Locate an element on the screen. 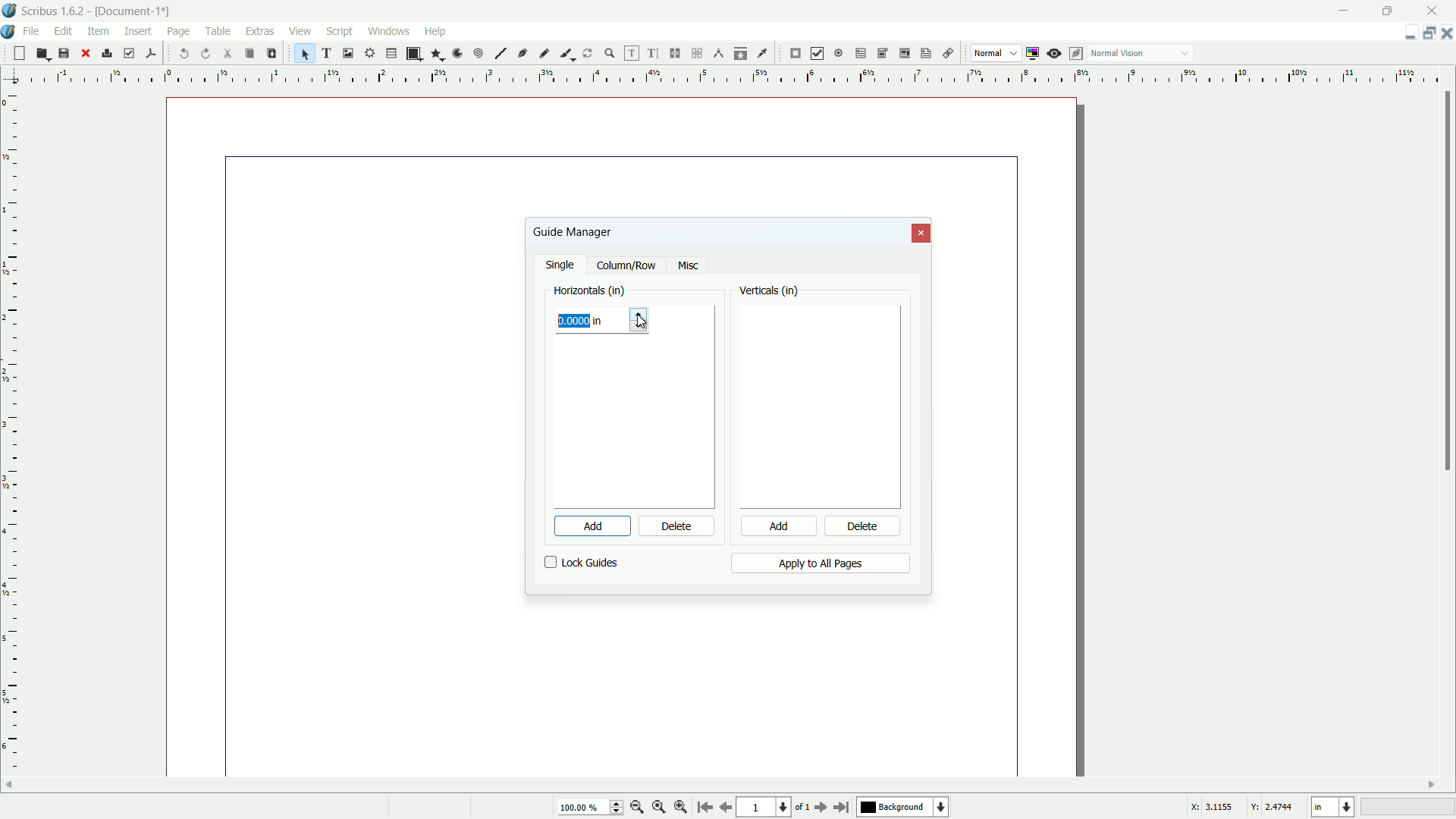 The image size is (1456, 819). pdf push button is located at coordinates (795, 54).